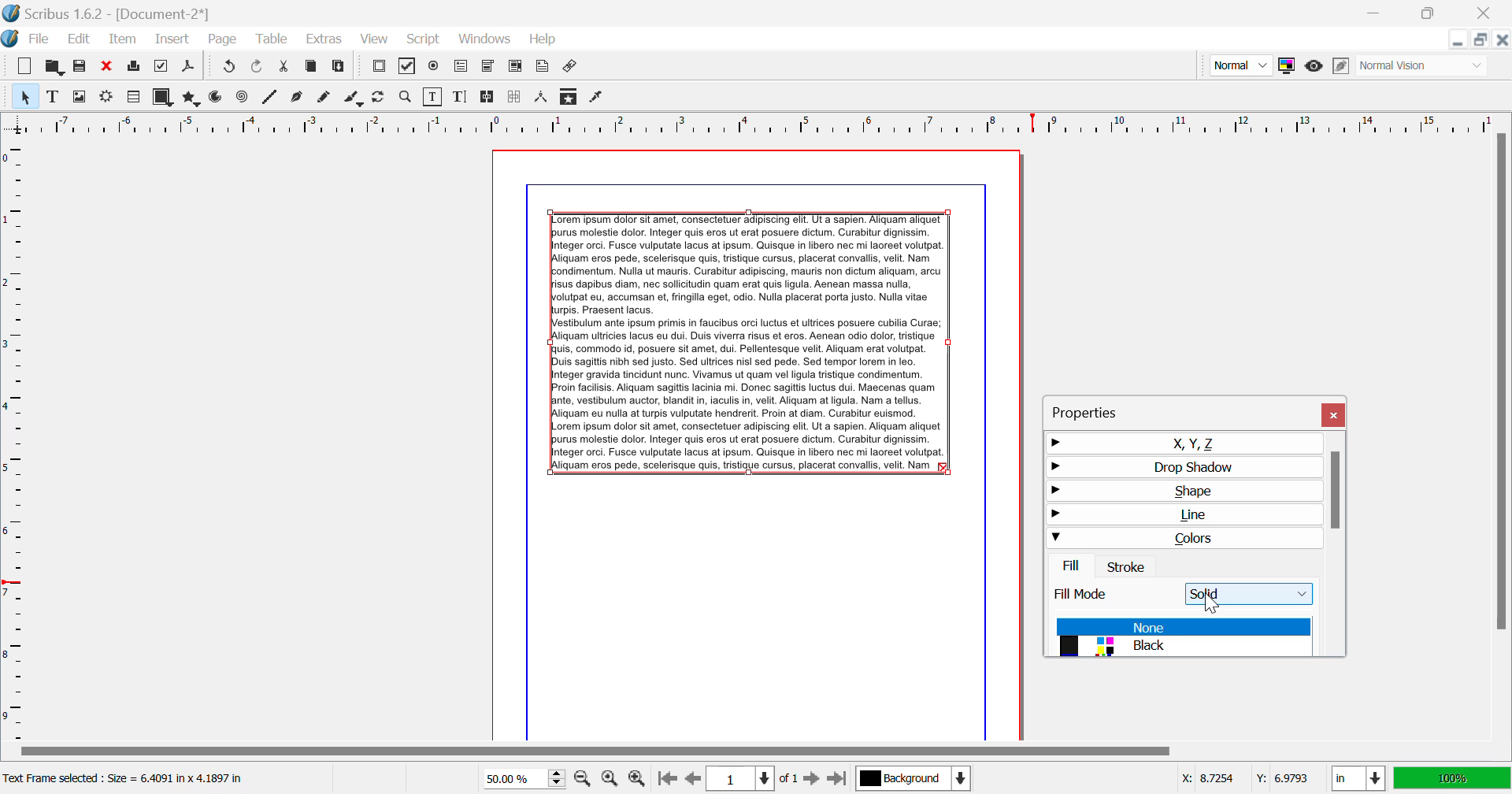 This screenshot has width=1512, height=794. Describe the element at coordinates (217, 98) in the screenshot. I see `Arcs` at that location.